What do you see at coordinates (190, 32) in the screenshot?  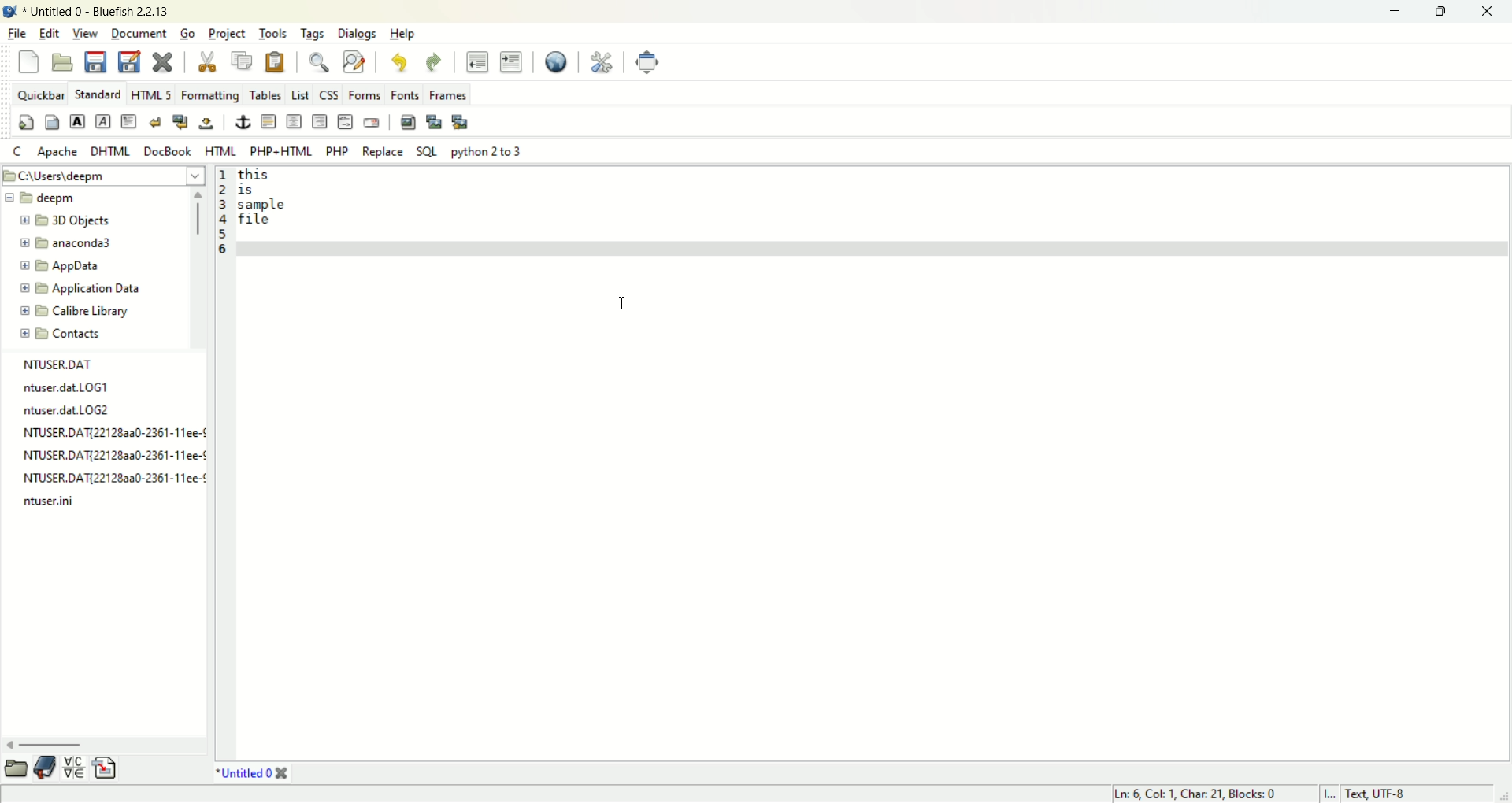 I see `go` at bounding box center [190, 32].